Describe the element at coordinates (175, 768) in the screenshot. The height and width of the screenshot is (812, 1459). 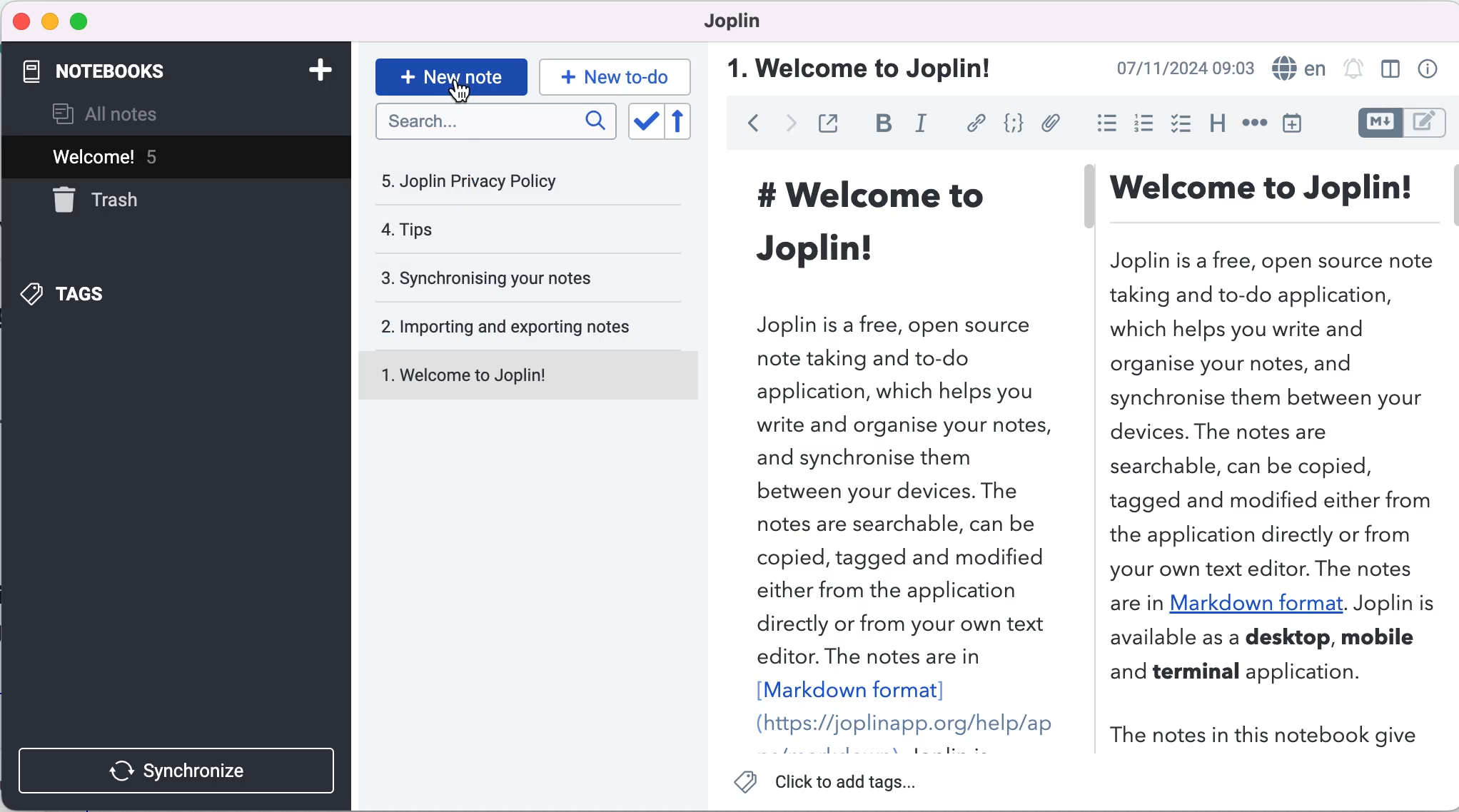
I see `synchronize` at that location.